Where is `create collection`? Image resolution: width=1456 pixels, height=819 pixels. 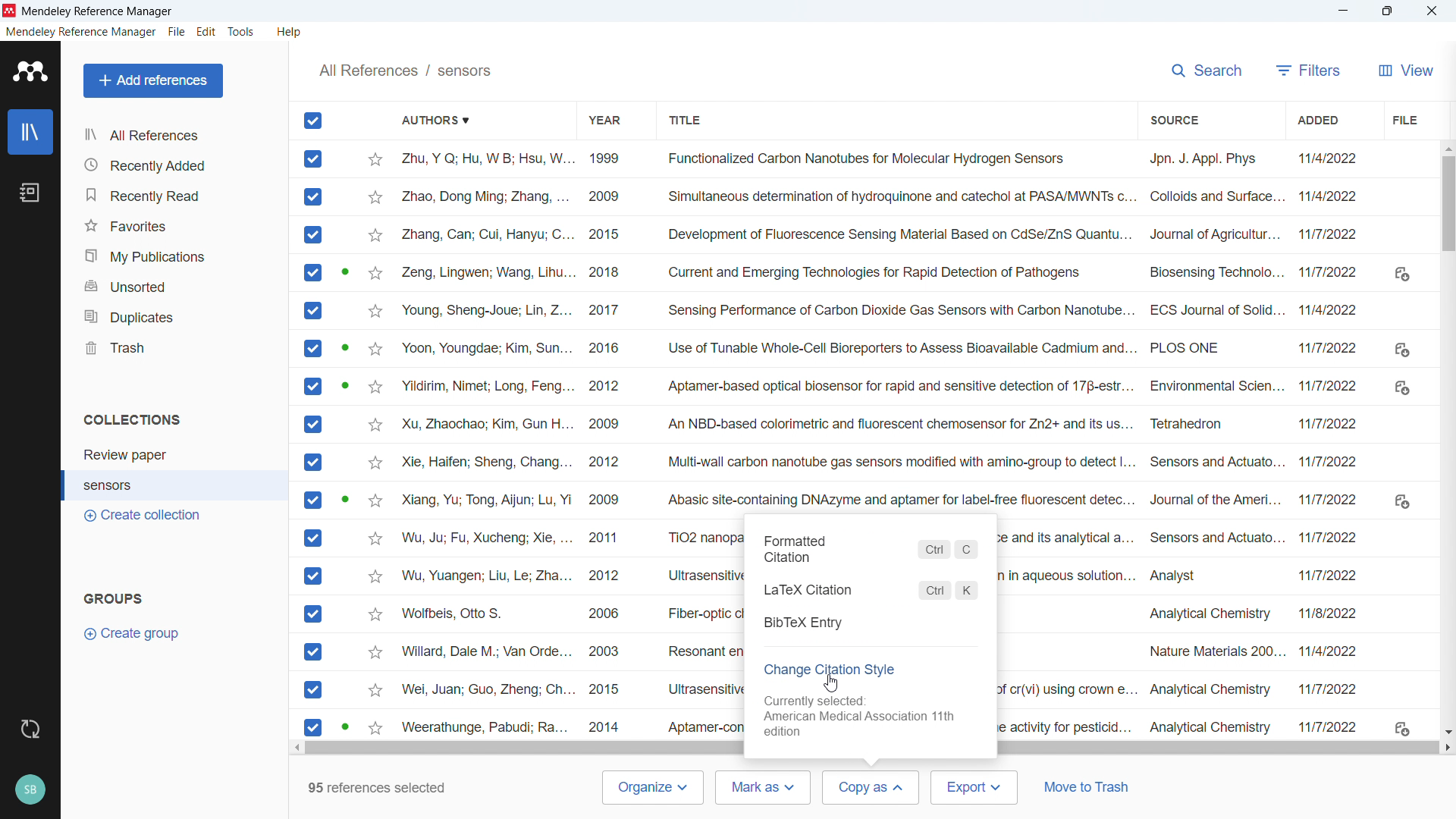
create collection is located at coordinates (146, 516).